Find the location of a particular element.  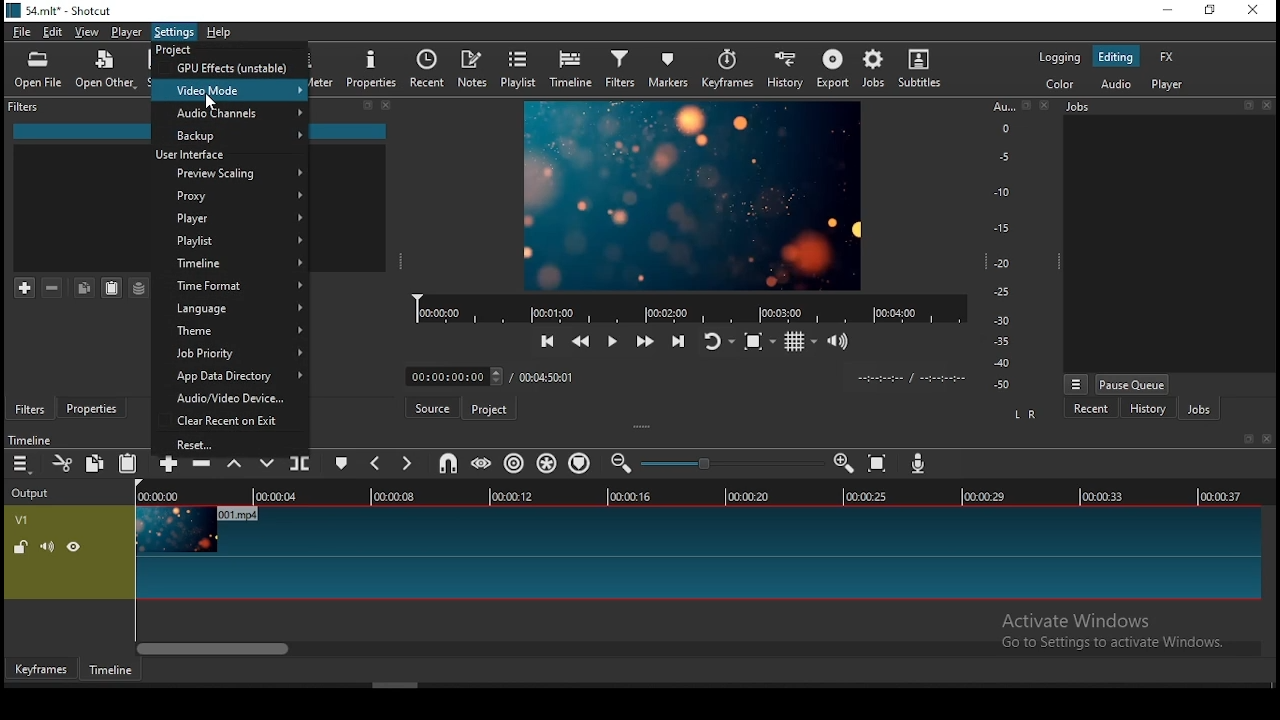

00:00:08 is located at coordinates (402, 497).